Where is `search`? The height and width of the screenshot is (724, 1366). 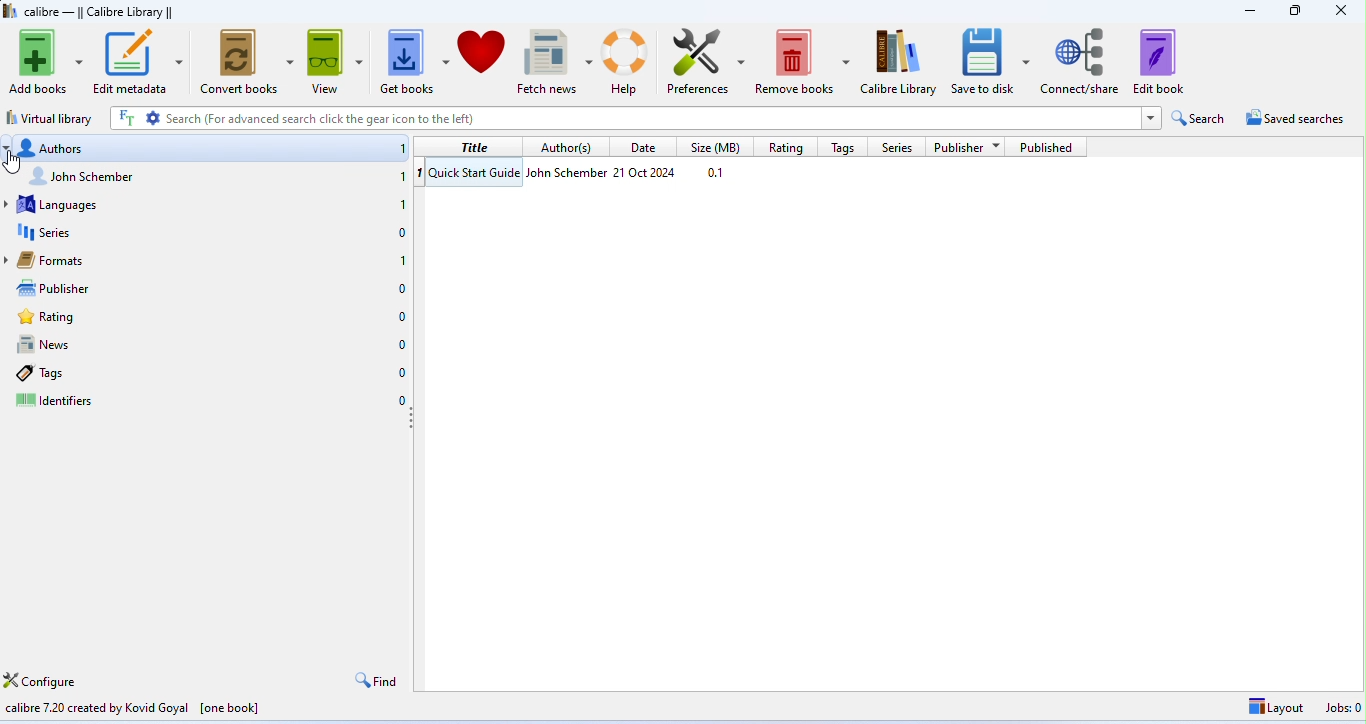
search is located at coordinates (622, 117).